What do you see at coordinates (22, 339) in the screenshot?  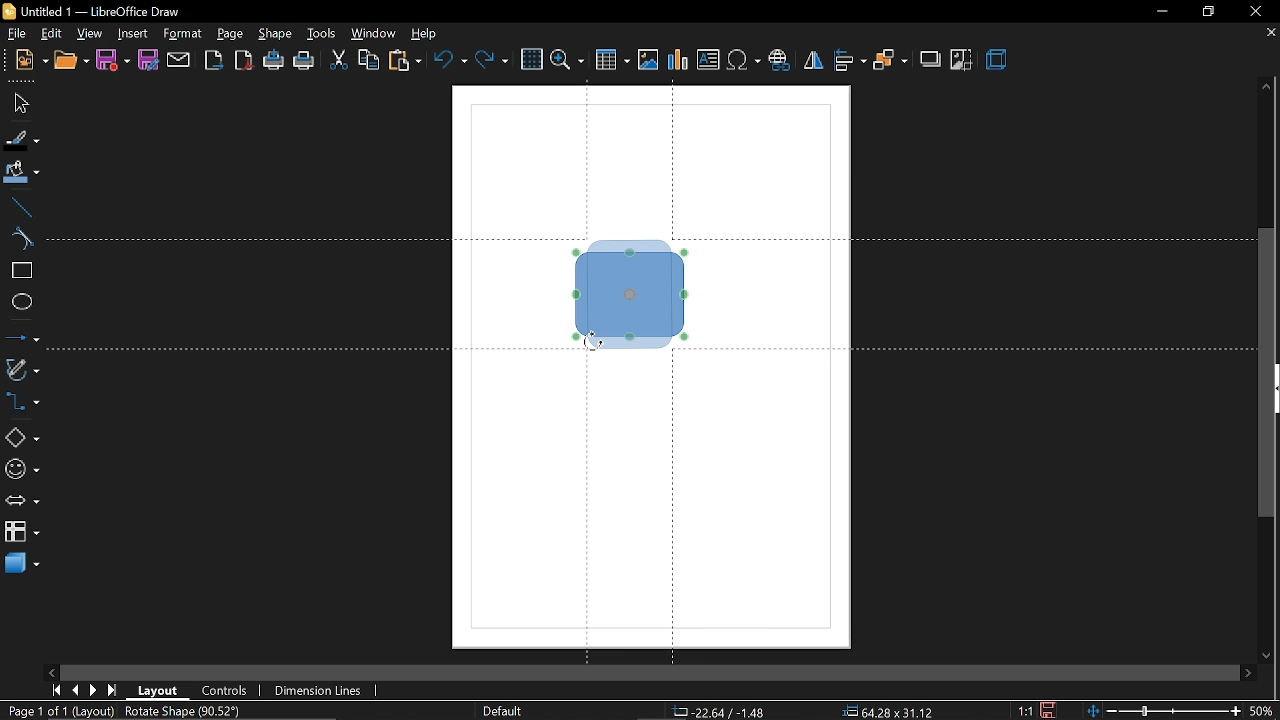 I see `lines and arrows` at bounding box center [22, 339].